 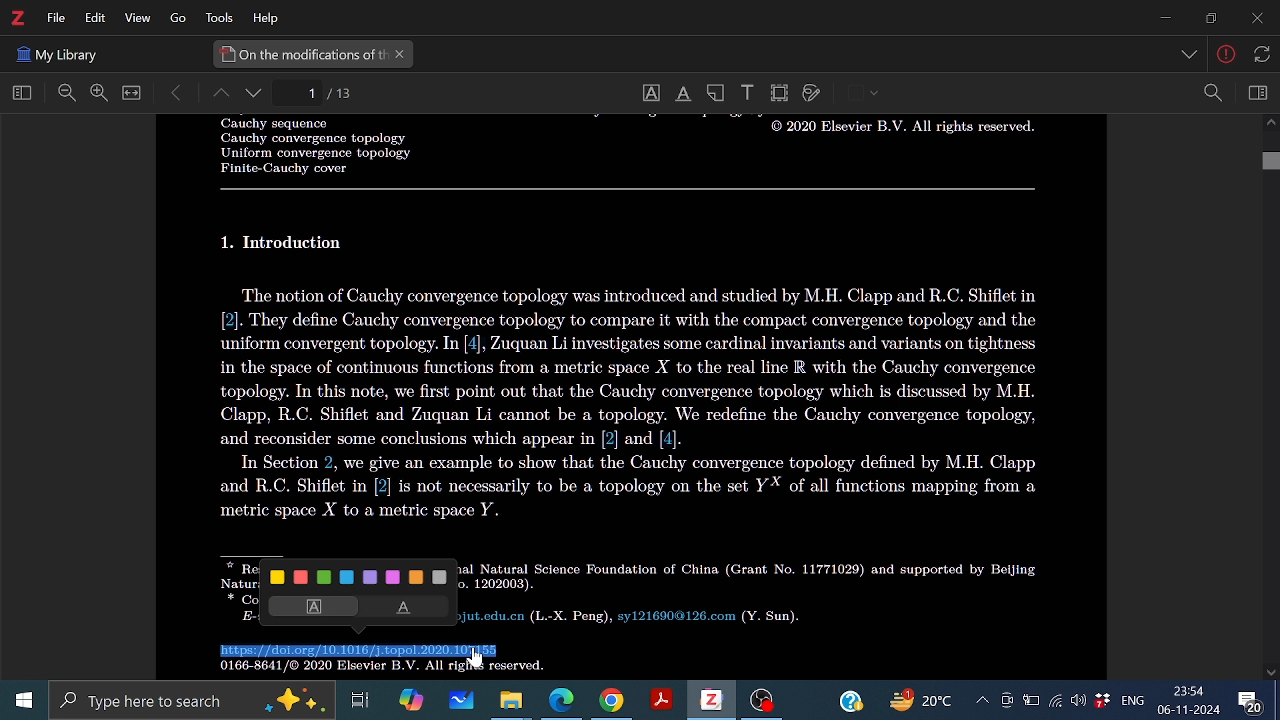 What do you see at coordinates (1031, 701) in the screenshot?
I see `Batttery` at bounding box center [1031, 701].